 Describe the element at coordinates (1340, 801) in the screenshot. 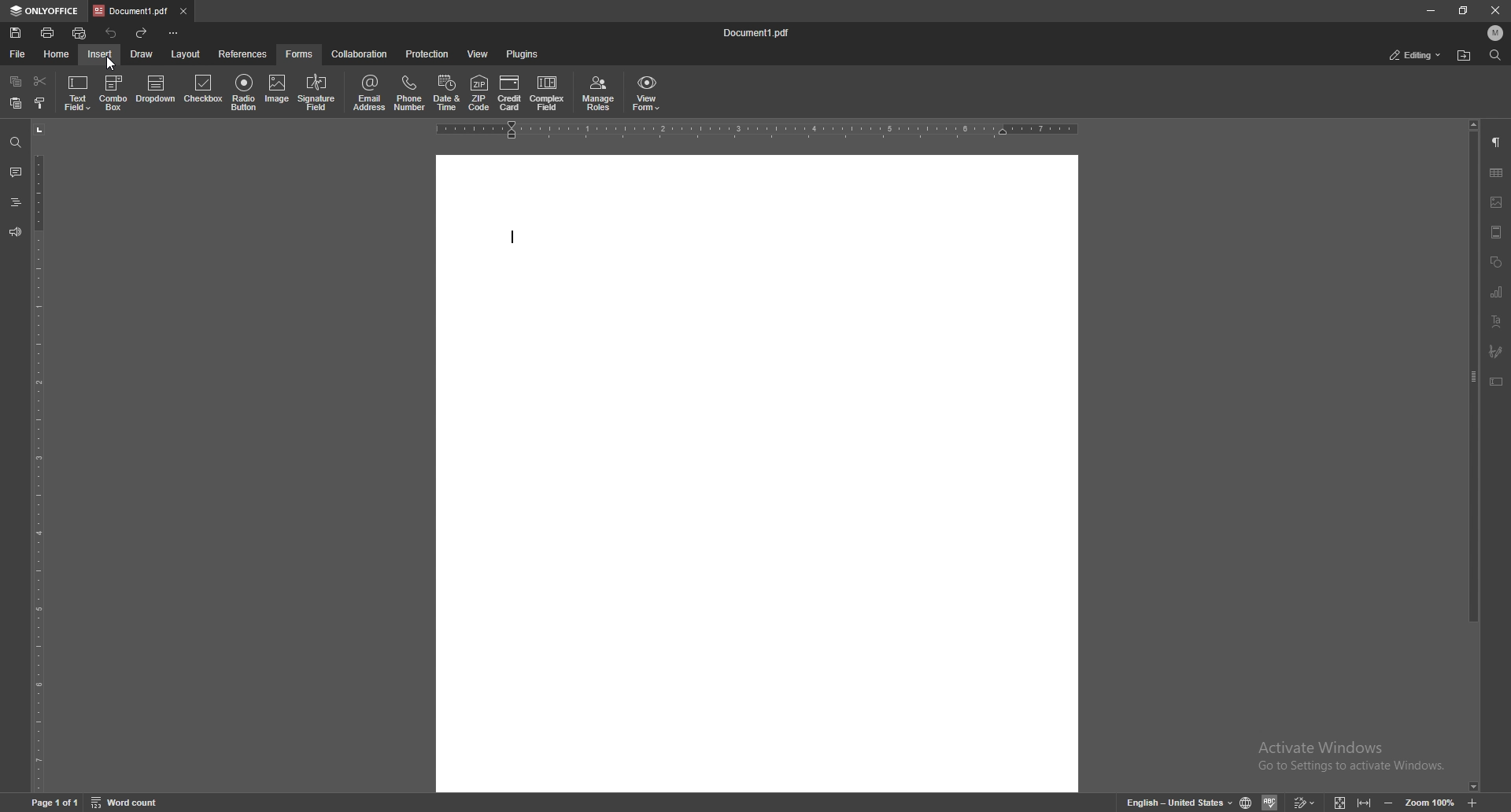

I see `fit to screen` at that location.